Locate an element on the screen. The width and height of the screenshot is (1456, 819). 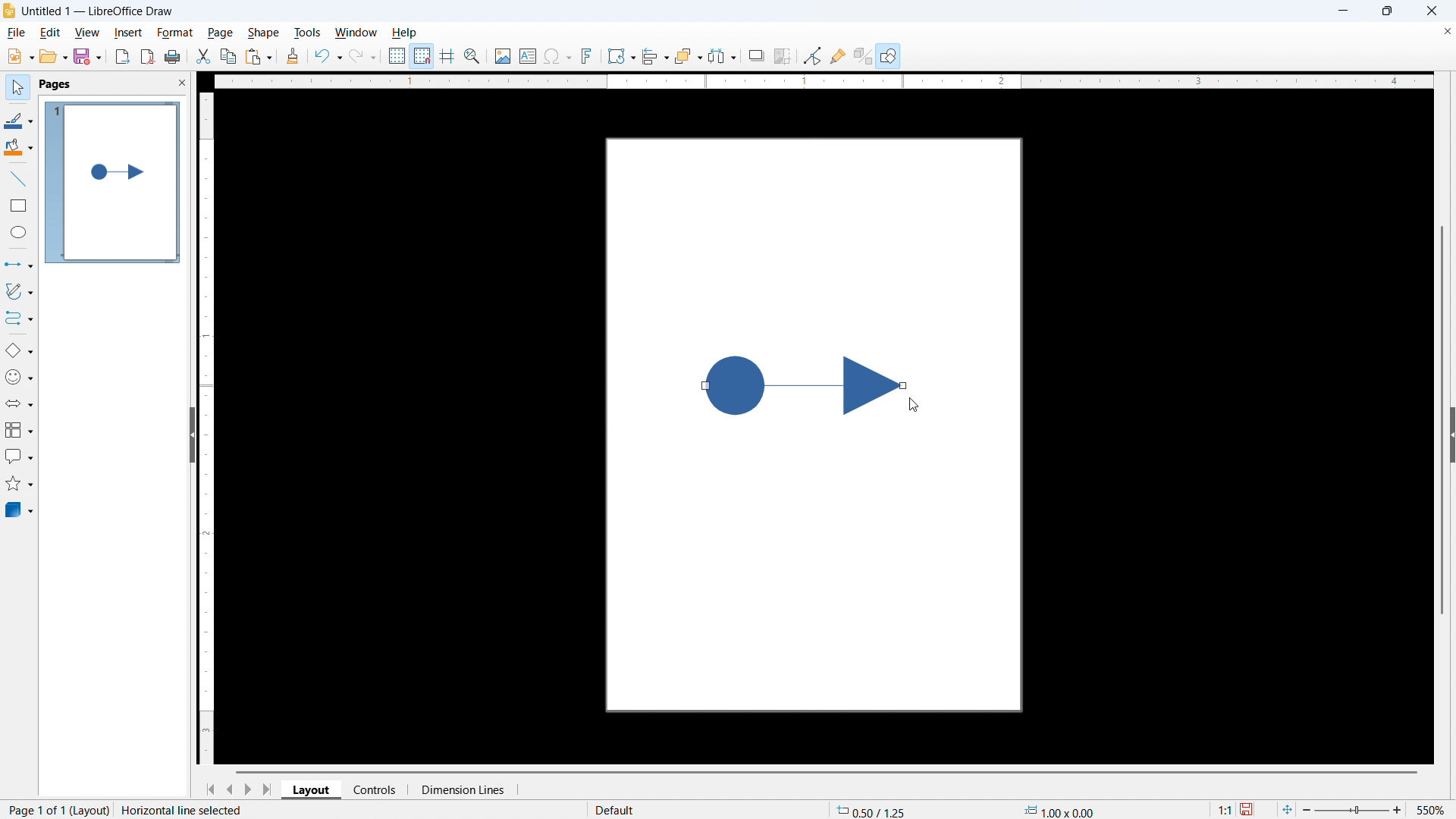
Insert symbols  is located at coordinates (558, 56).